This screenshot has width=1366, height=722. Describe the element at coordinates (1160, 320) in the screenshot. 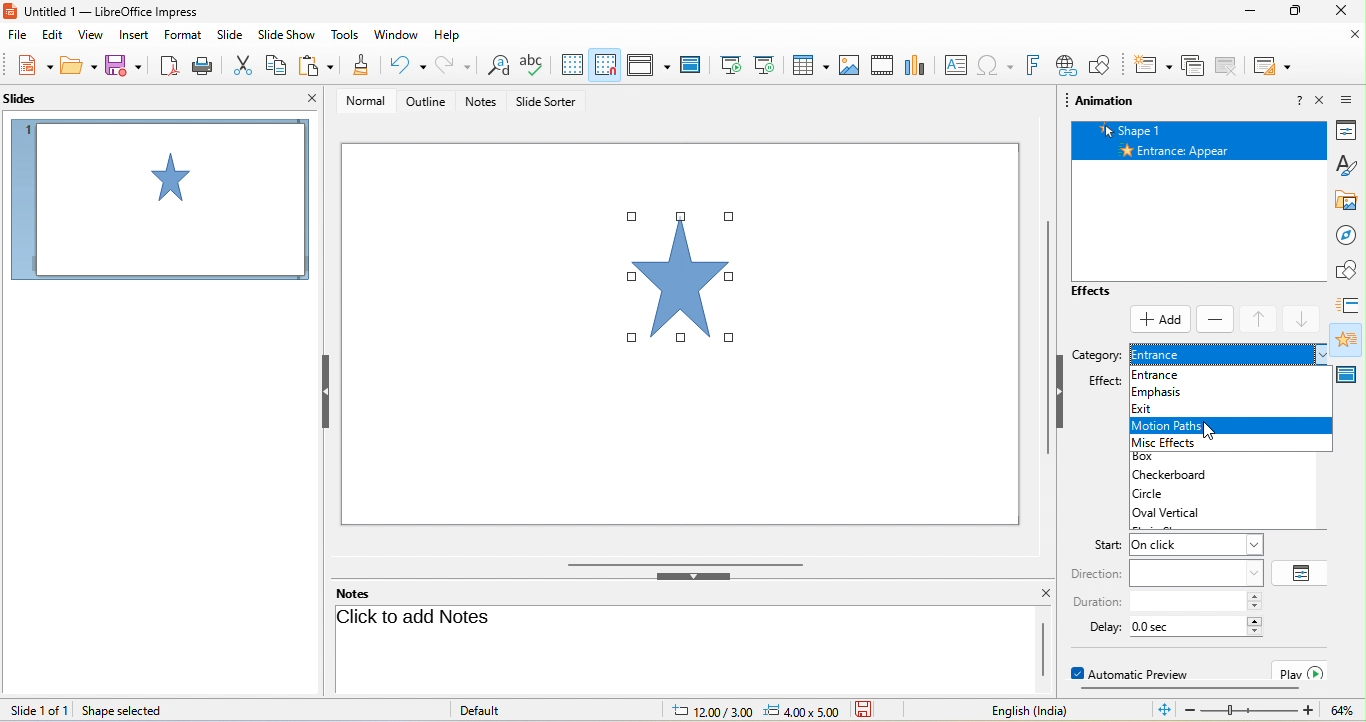

I see `select add` at that location.